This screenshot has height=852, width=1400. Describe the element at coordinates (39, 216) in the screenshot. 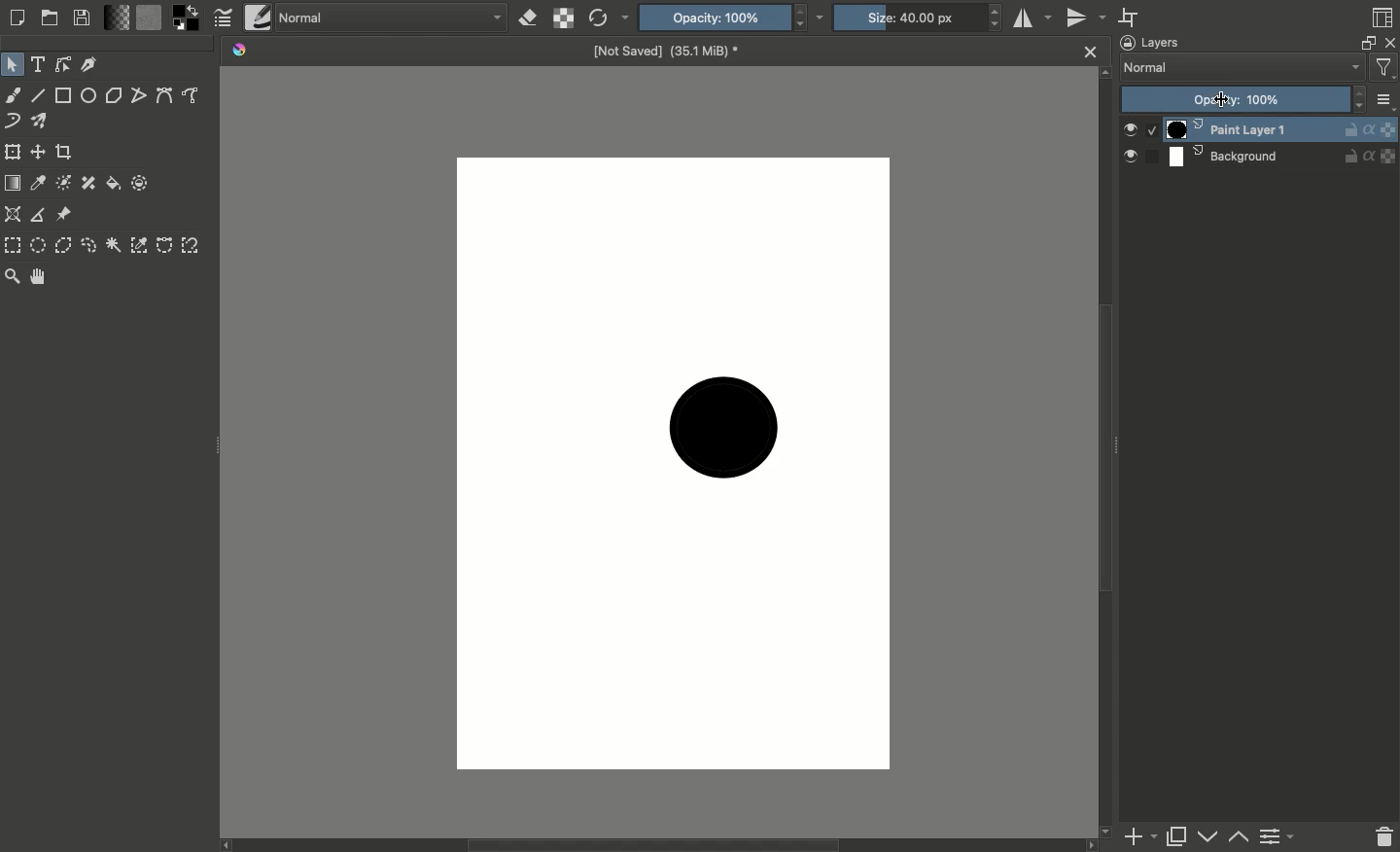

I see `Measure distance` at that location.